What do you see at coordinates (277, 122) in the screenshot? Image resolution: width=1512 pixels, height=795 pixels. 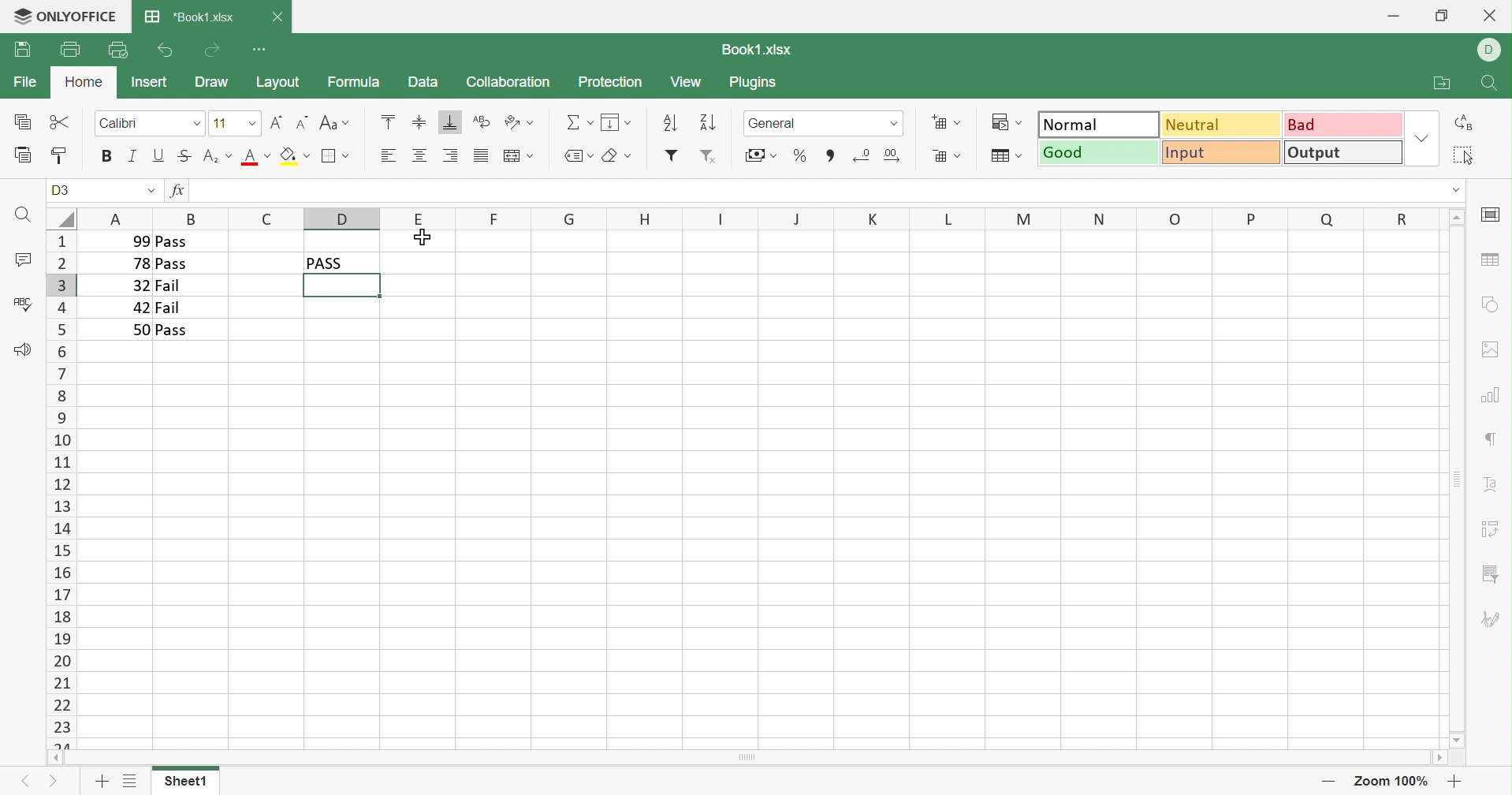 I see `Font increment` at bounding box center [277, 122].